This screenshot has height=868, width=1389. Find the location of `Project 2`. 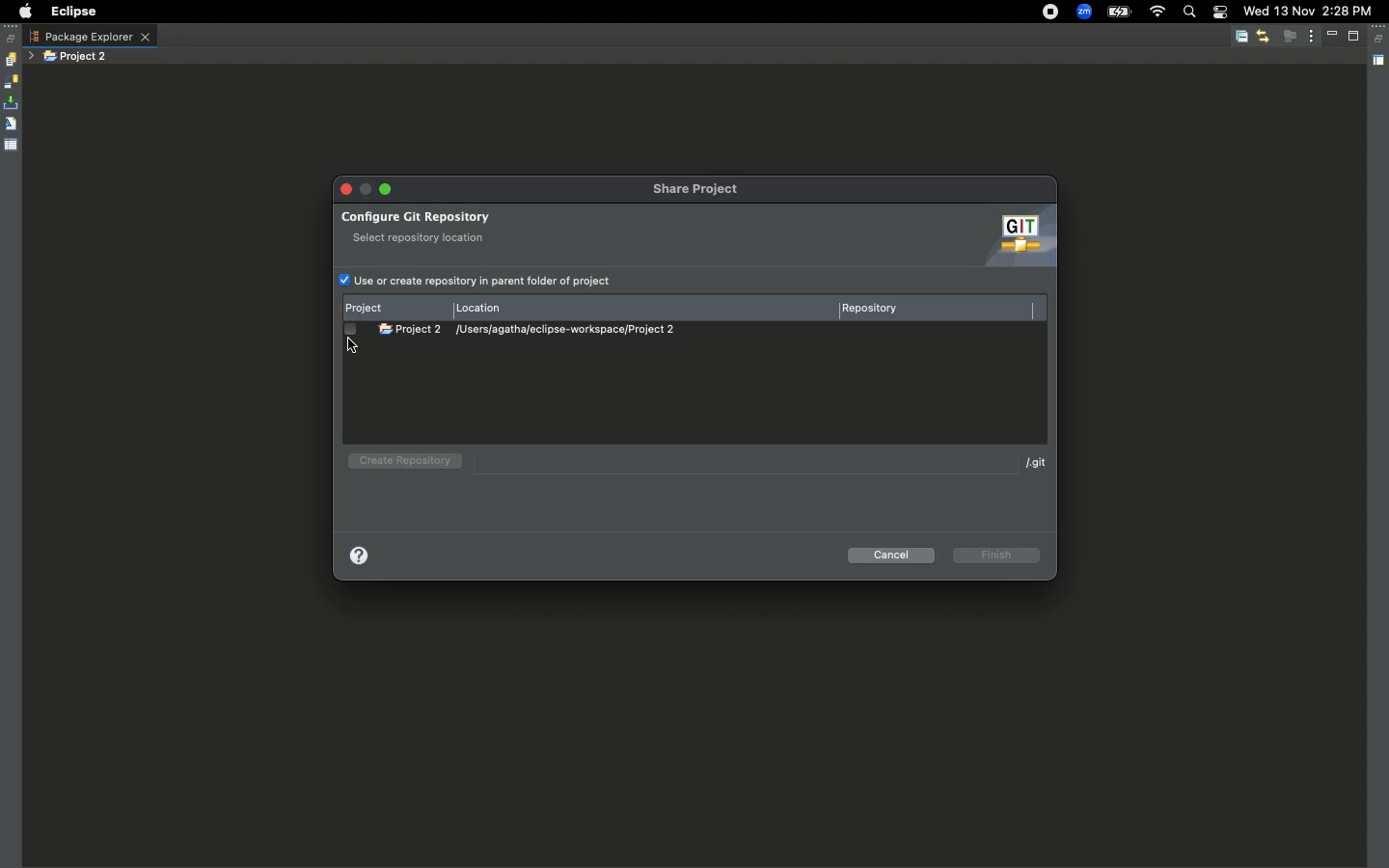

Project 2 is located at coordinates (77, 57).